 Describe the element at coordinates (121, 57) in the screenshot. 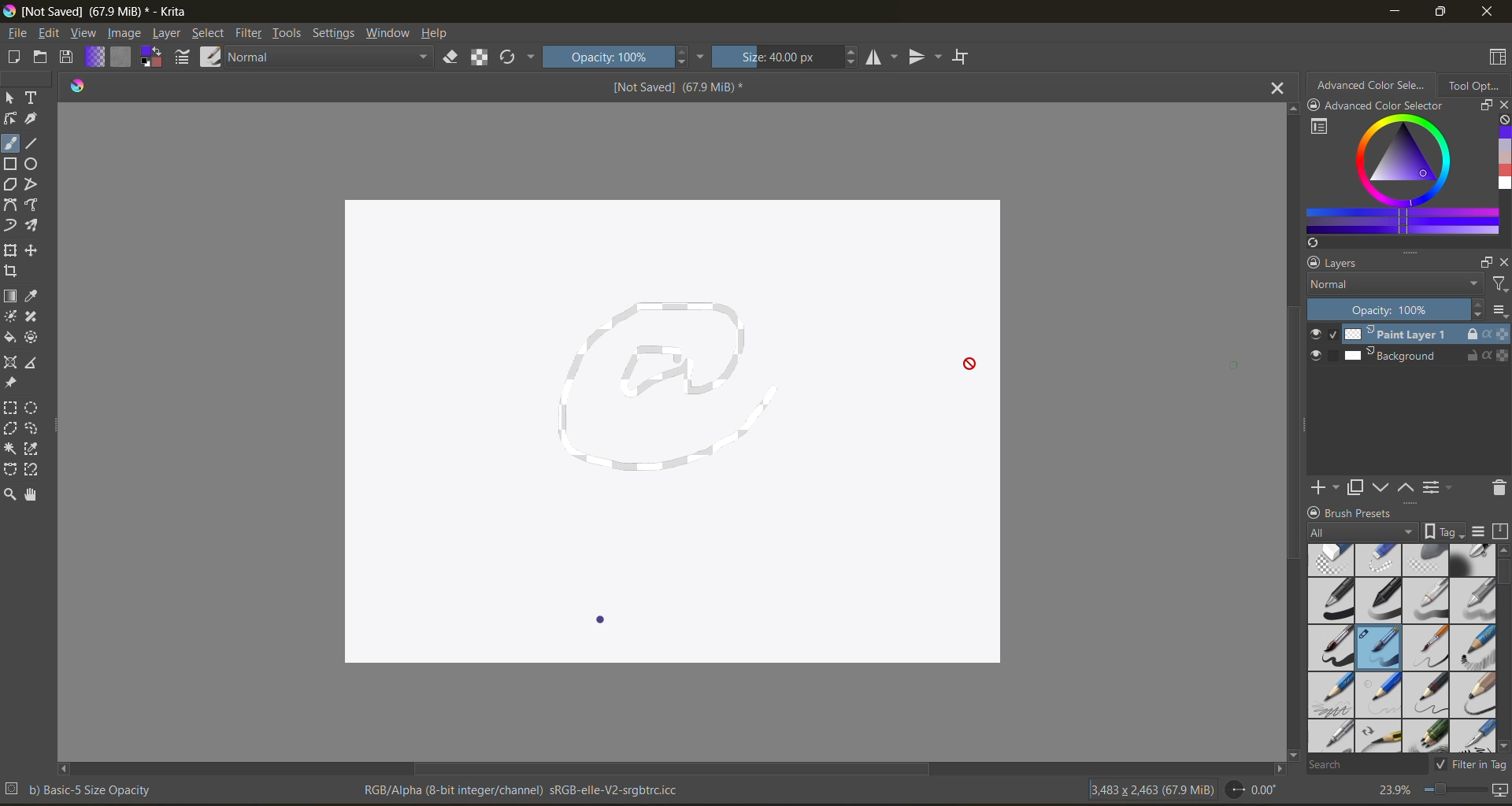

I see `fill patterns` at that location.